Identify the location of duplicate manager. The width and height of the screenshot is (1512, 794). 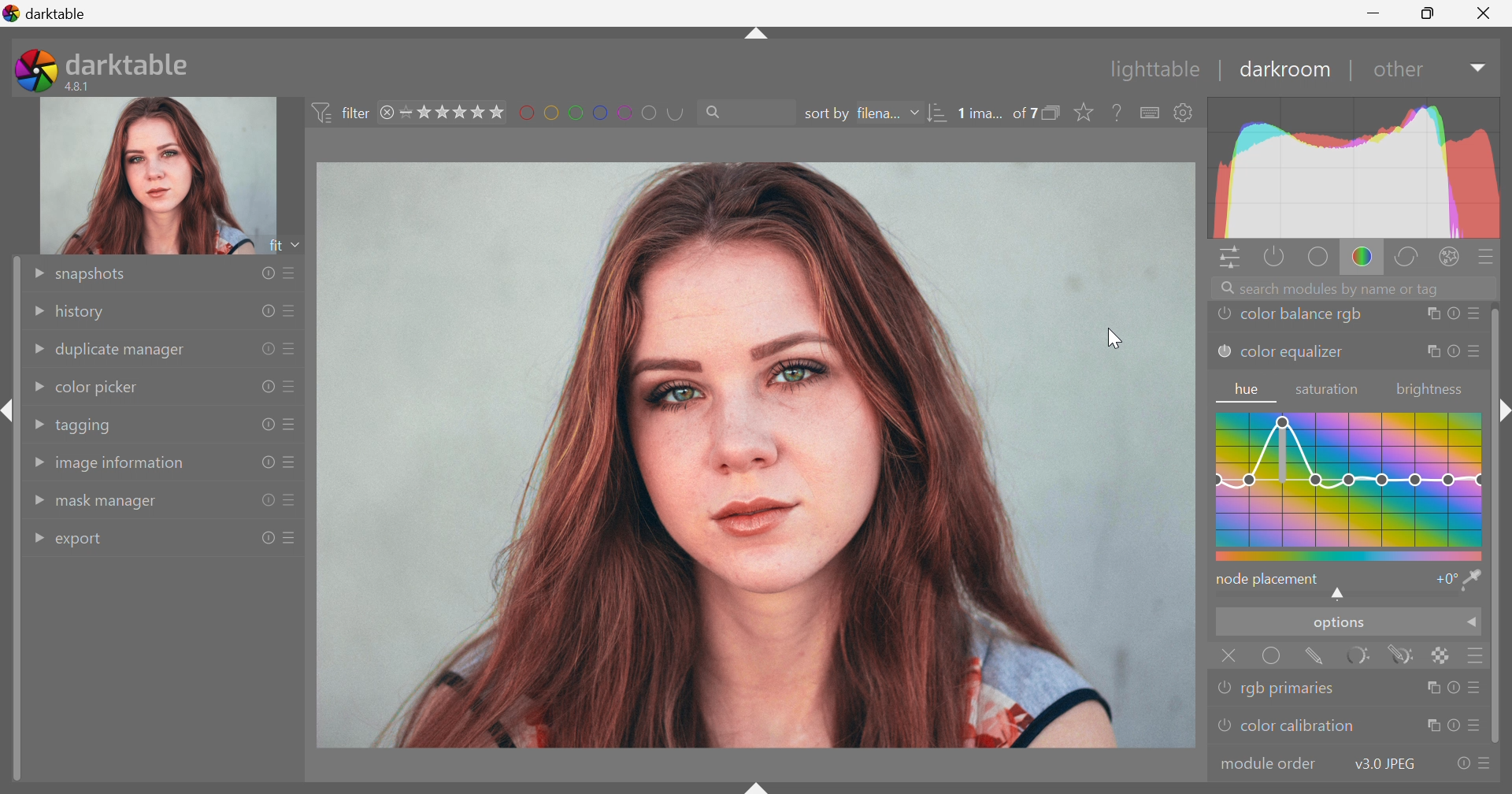
(122, 351).